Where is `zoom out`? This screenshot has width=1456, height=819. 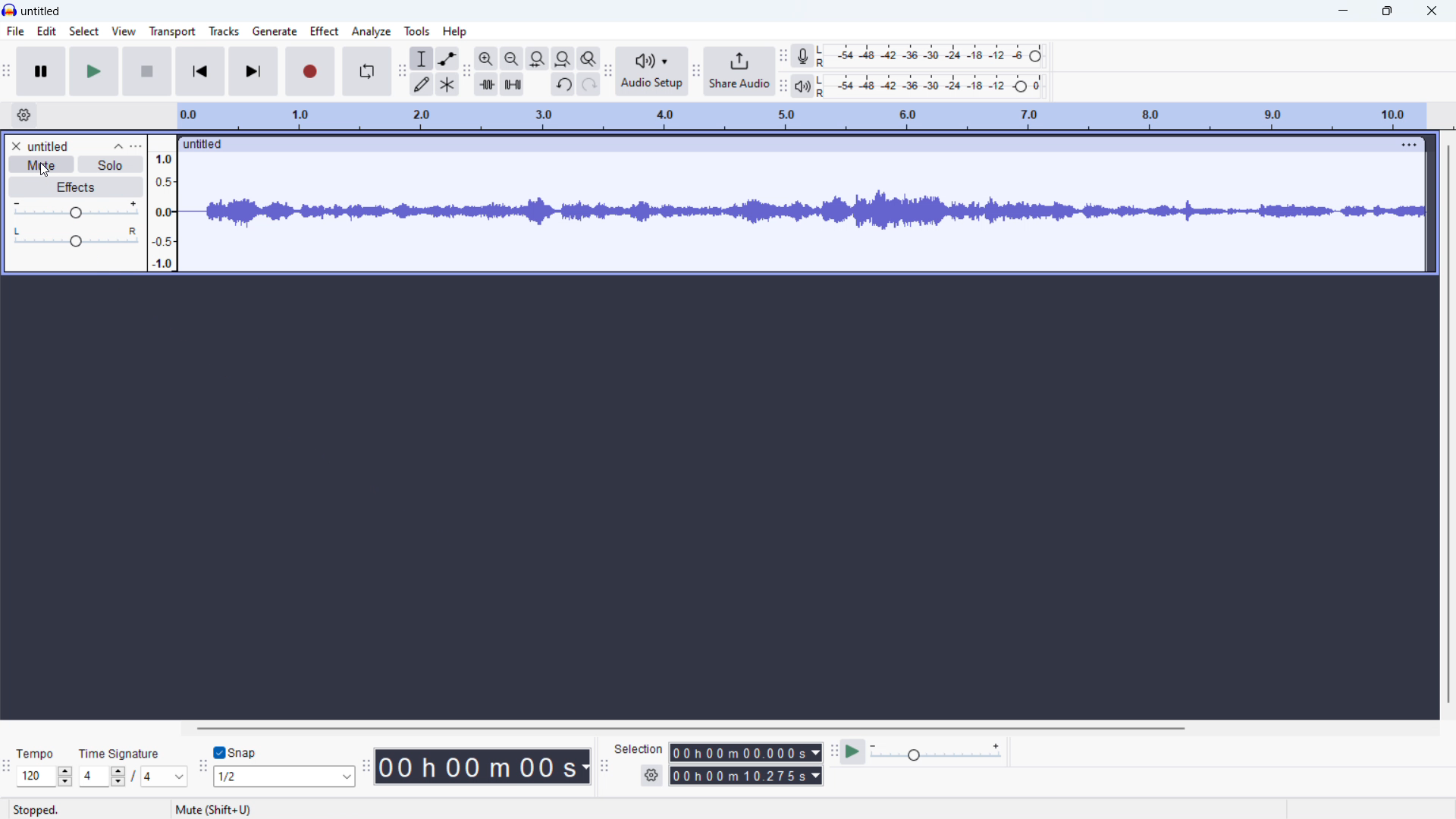 zoom out is located at coordinates (512, 58).